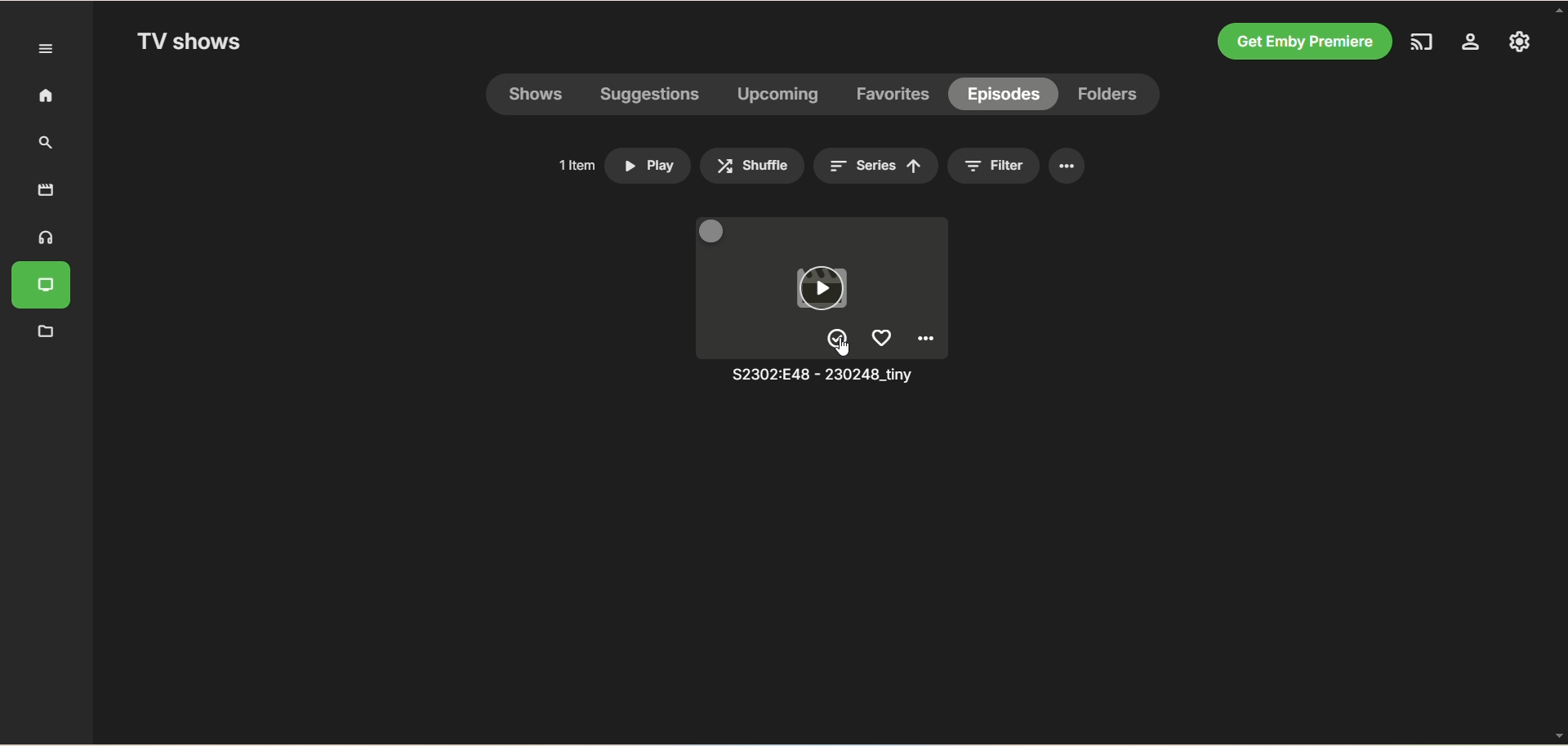 Image resolution: width=1568 pixels, height=746 pixels. I want to click on favorites, so click(895, 95).